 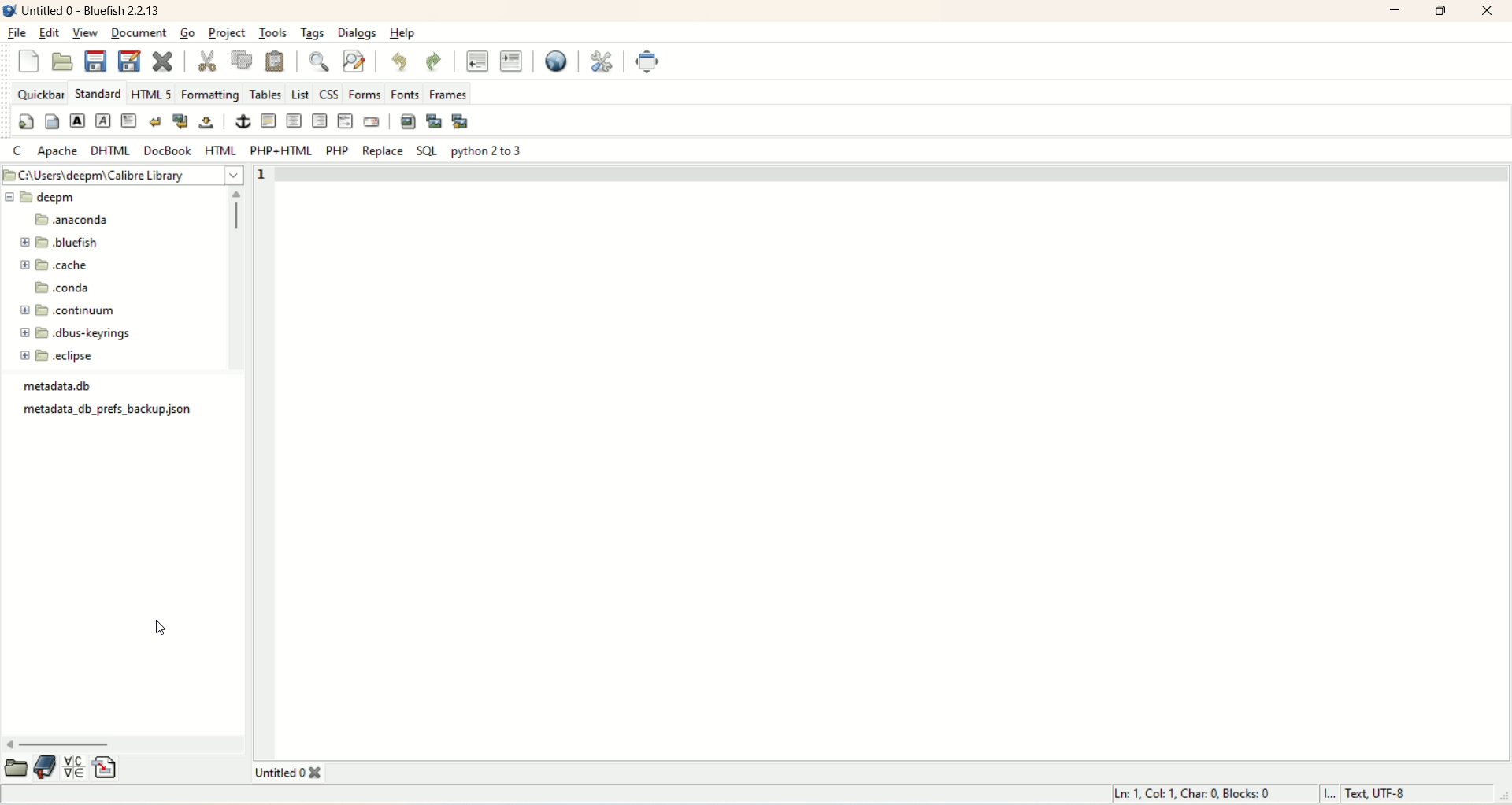 I want to click on break and clear, so click(x=180, y=120).